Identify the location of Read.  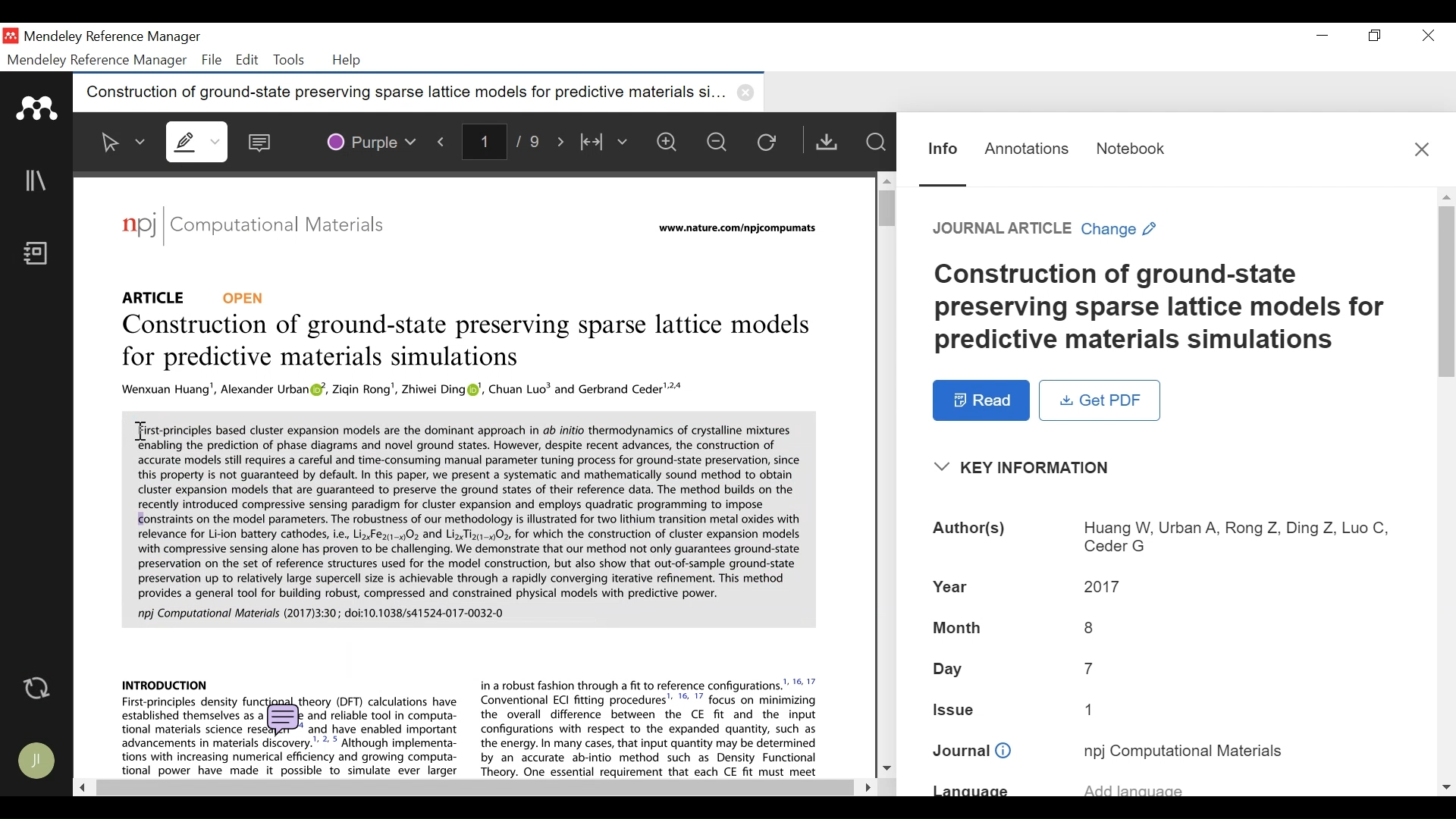
(982, 400).